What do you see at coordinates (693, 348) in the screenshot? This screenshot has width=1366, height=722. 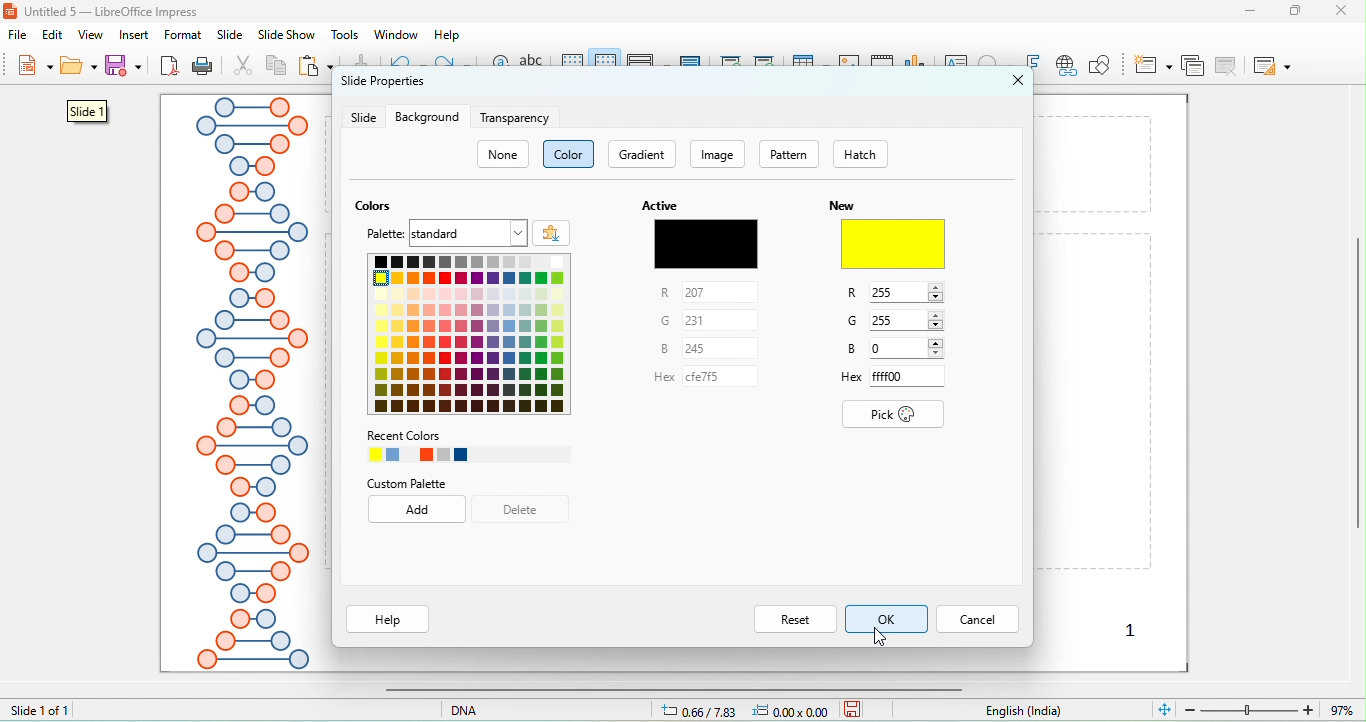 I see `B` at bounding box center [693, 348].